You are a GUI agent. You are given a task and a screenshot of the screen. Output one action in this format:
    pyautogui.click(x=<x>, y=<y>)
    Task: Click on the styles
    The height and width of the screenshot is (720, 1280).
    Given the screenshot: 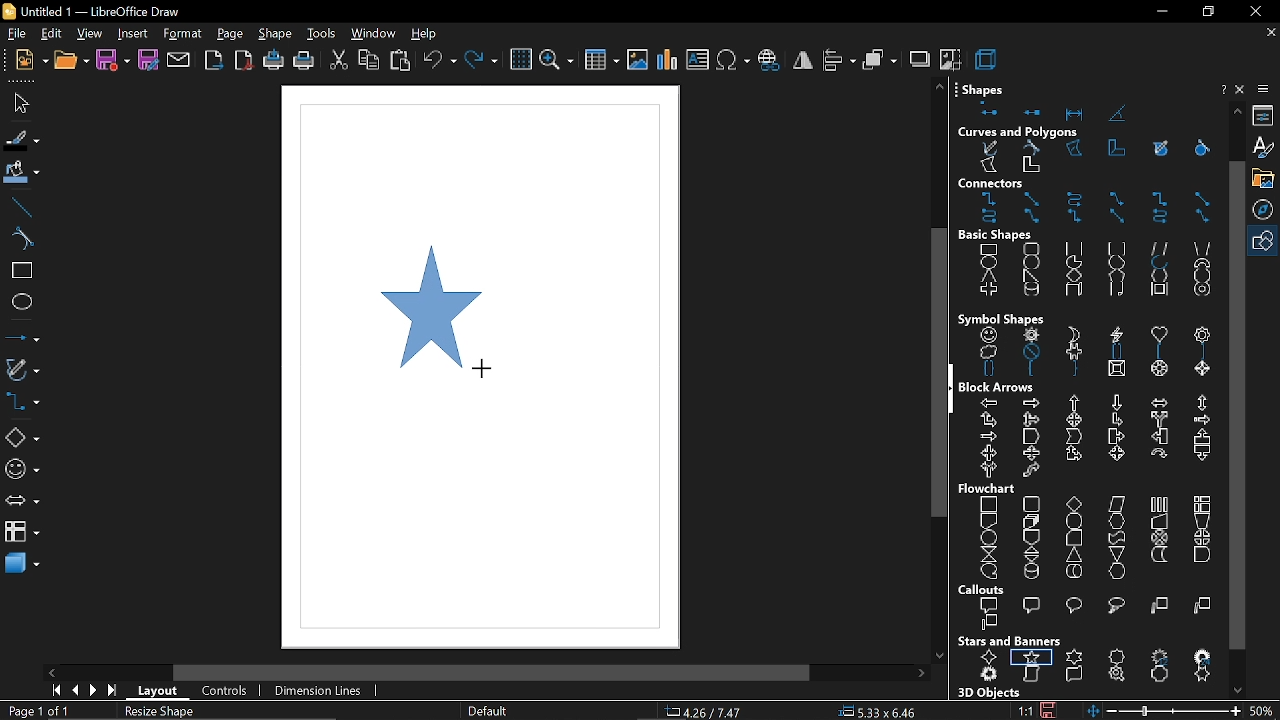 What is the action you would take?
    pyautogui.click(x=1266, y=148)
    